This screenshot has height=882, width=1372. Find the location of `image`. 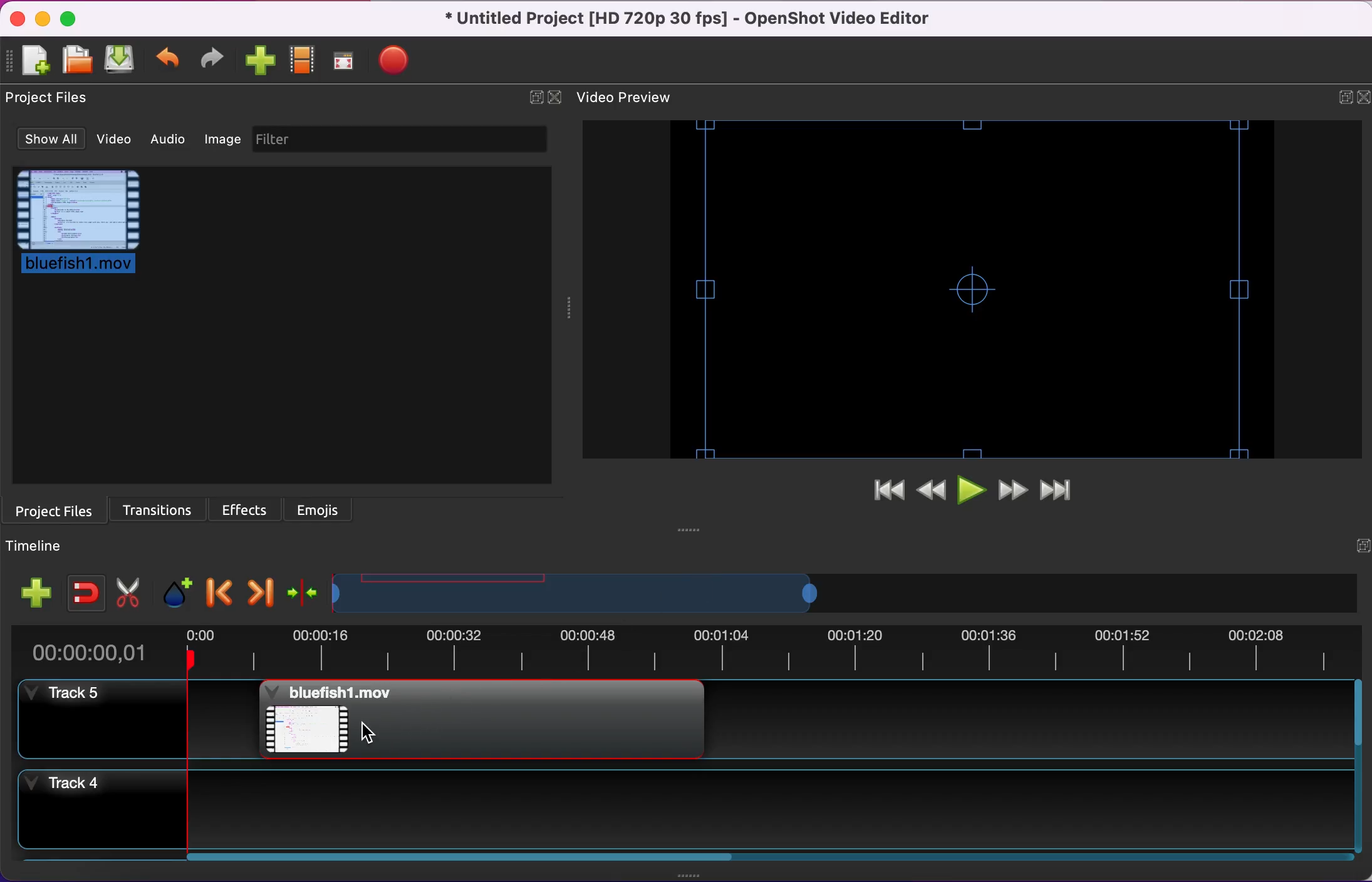

image is located at coordinates (221, 138).